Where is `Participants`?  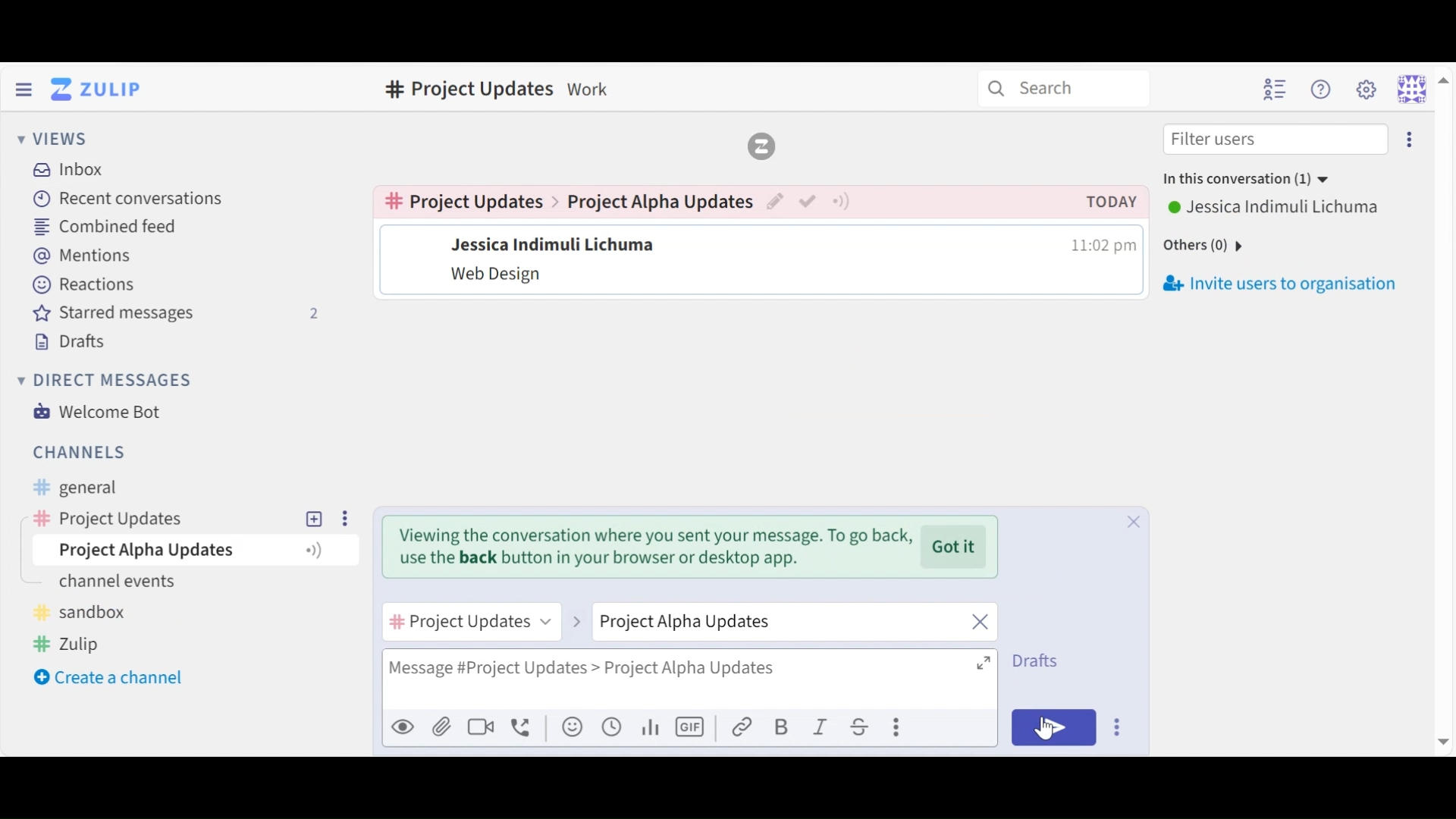 Participants is located at coordinates (1244, 179).